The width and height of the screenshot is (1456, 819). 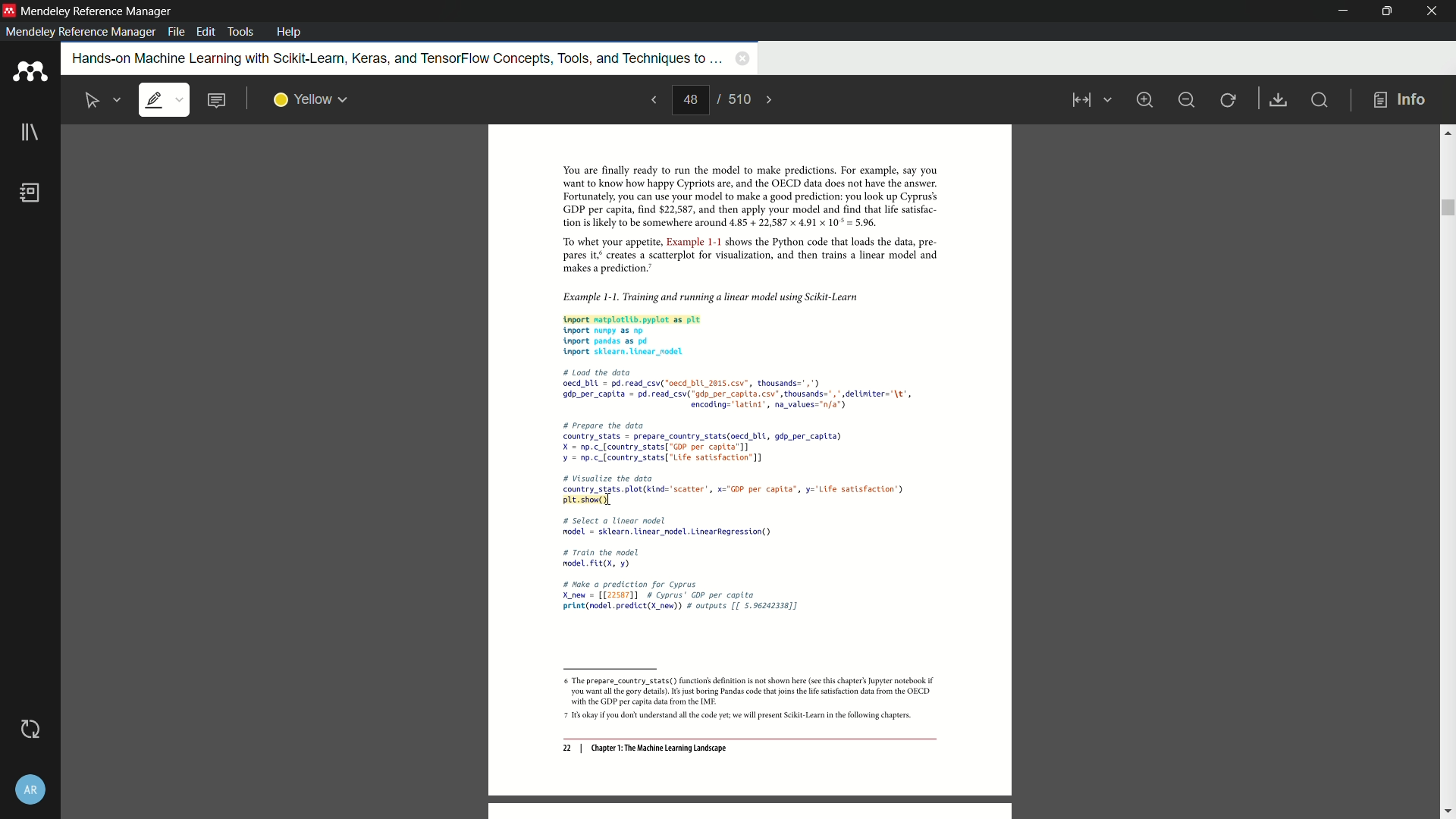 I want to click on rotate, so click(x=1229, y=101).